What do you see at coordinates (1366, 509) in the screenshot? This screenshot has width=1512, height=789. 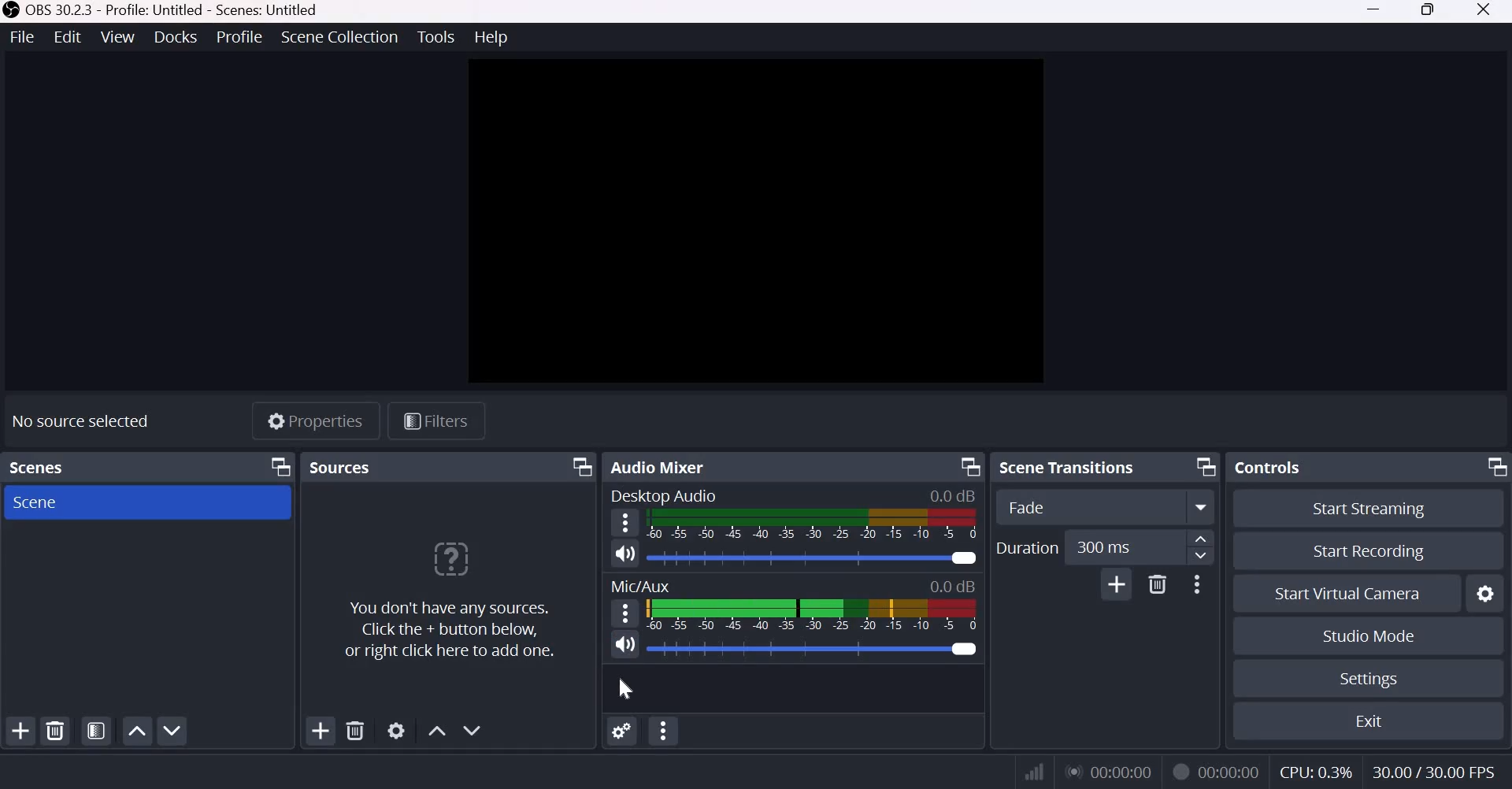 I see `Start streaming` at bounding box center [1366, 509].